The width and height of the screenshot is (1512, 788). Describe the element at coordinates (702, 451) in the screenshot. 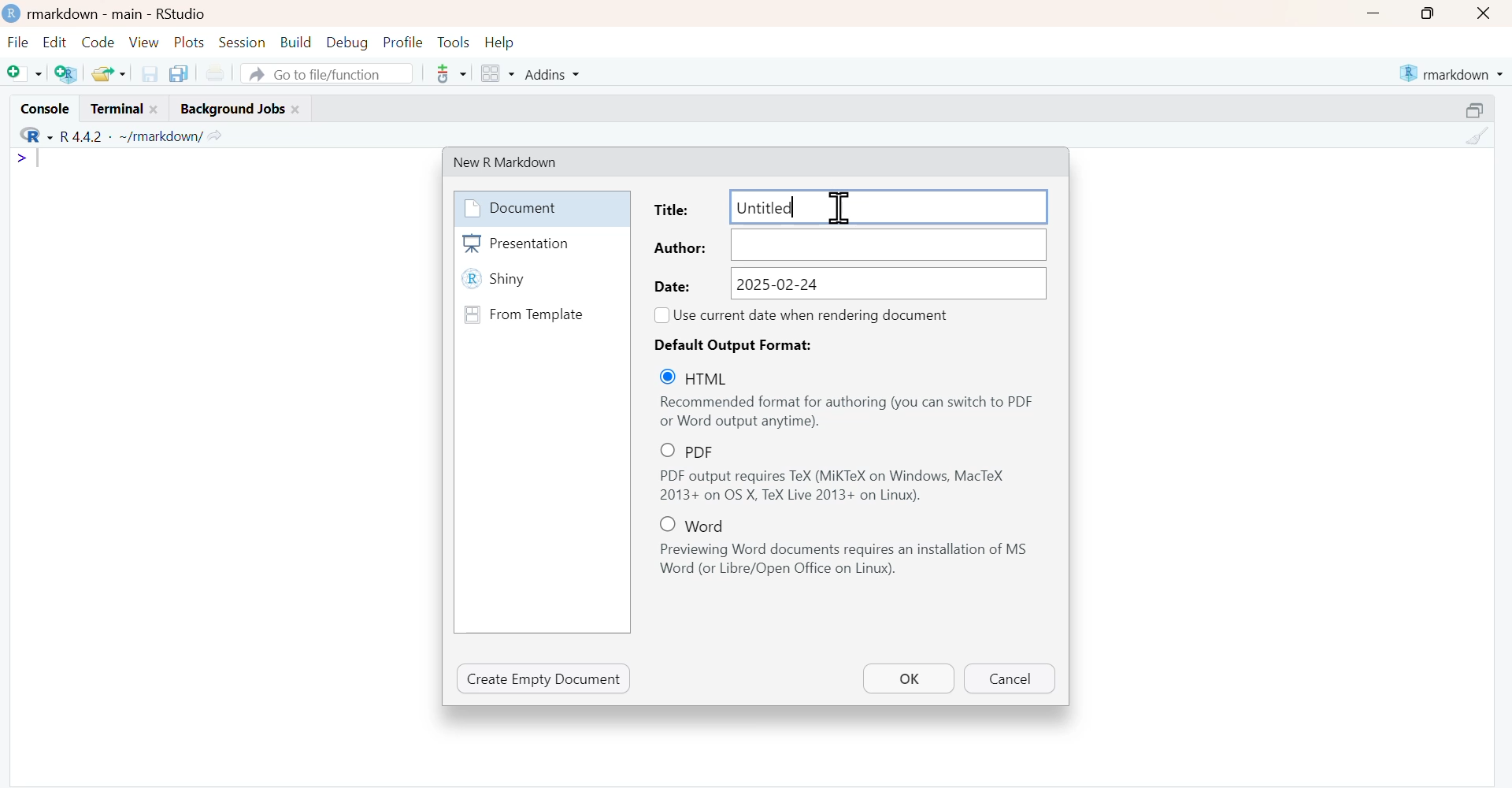

I see `PDF` at that location.